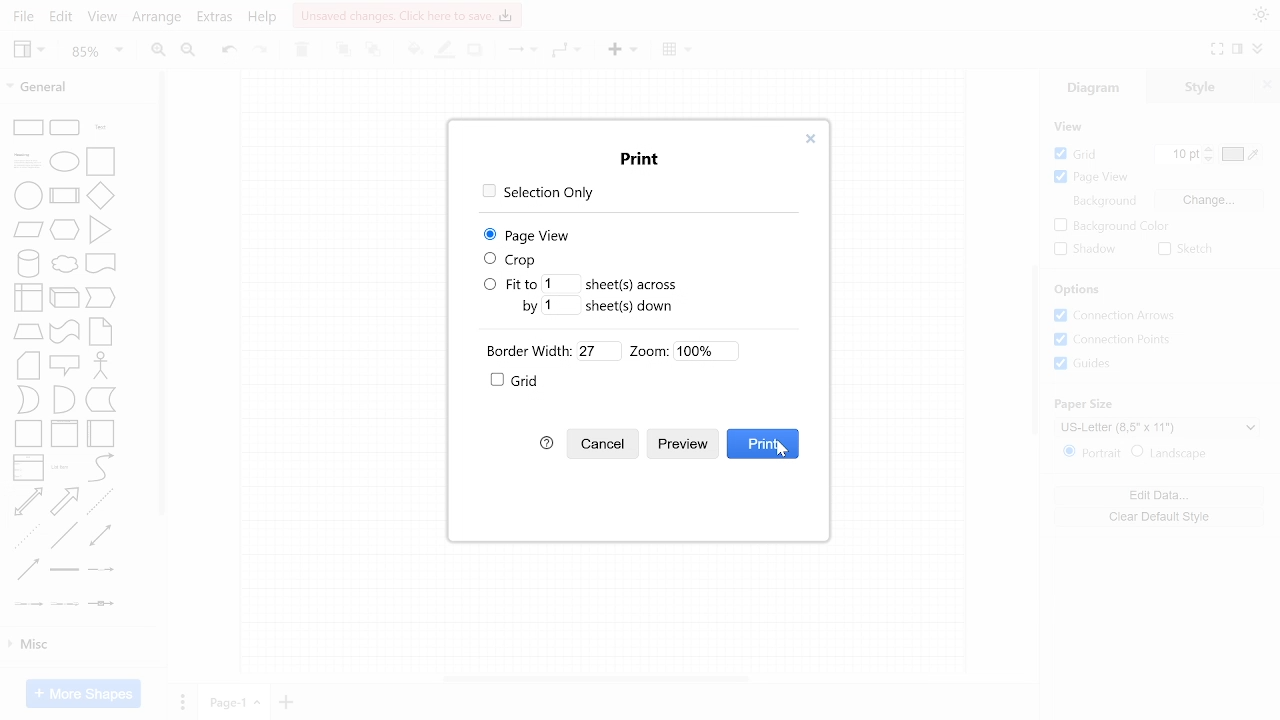  Describe the element at coordinates (64, 332) in the screenshot. I see `Tape` at that location.